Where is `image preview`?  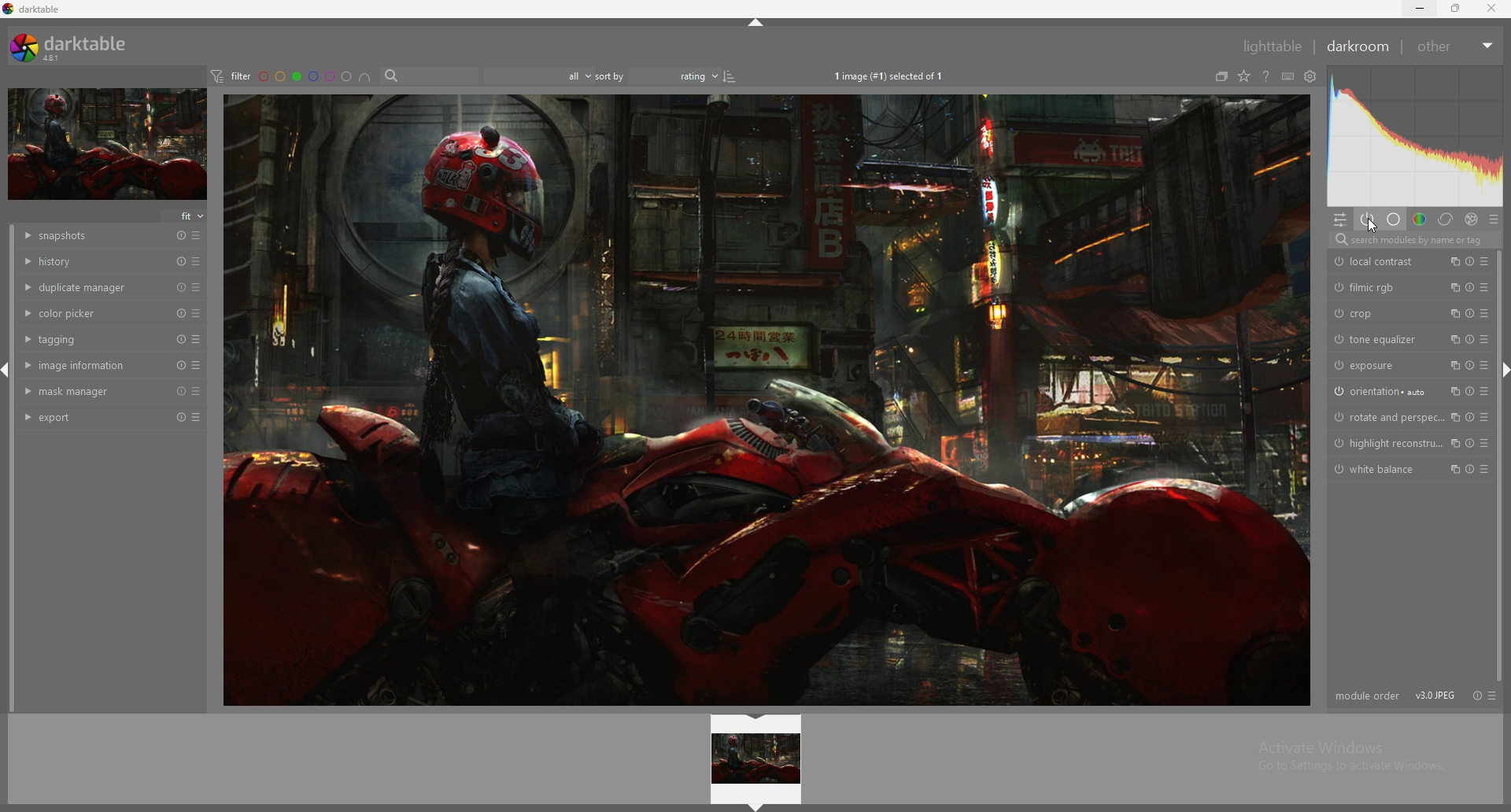 image preview is located at coordinates (757, 759).